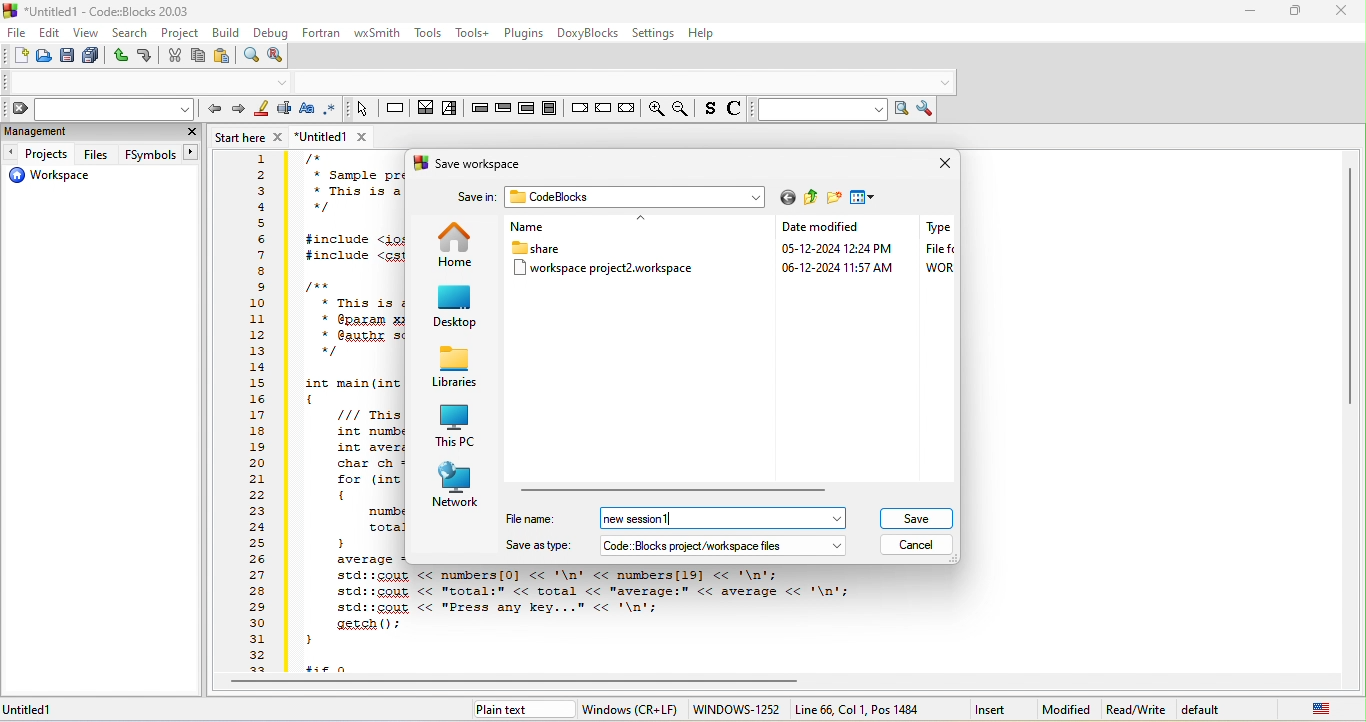 The width and height of the screenshot is (1366, 722). What do you see at coordinates (680, 489) in the screenshot?
I see `horizontal scroll bar` at bounding box center [680, 489].